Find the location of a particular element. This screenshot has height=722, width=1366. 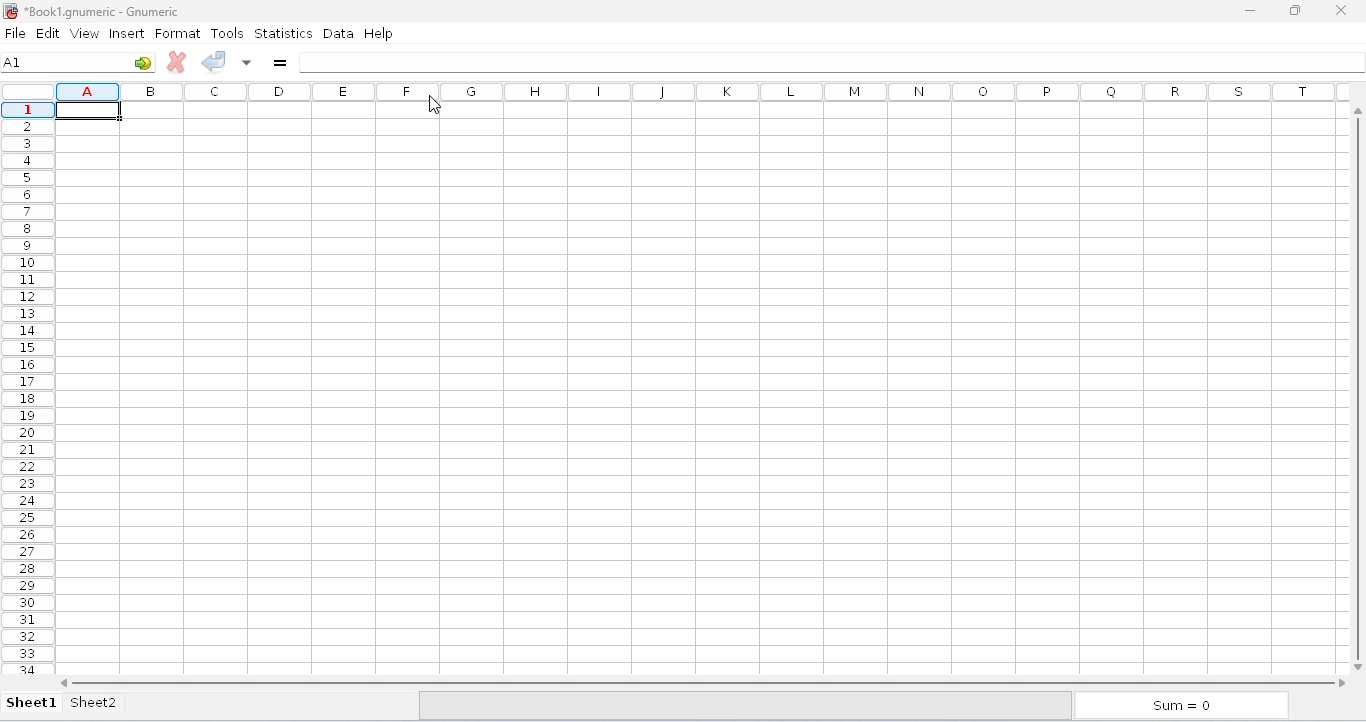

cursor is located at coordinates (435, 105).